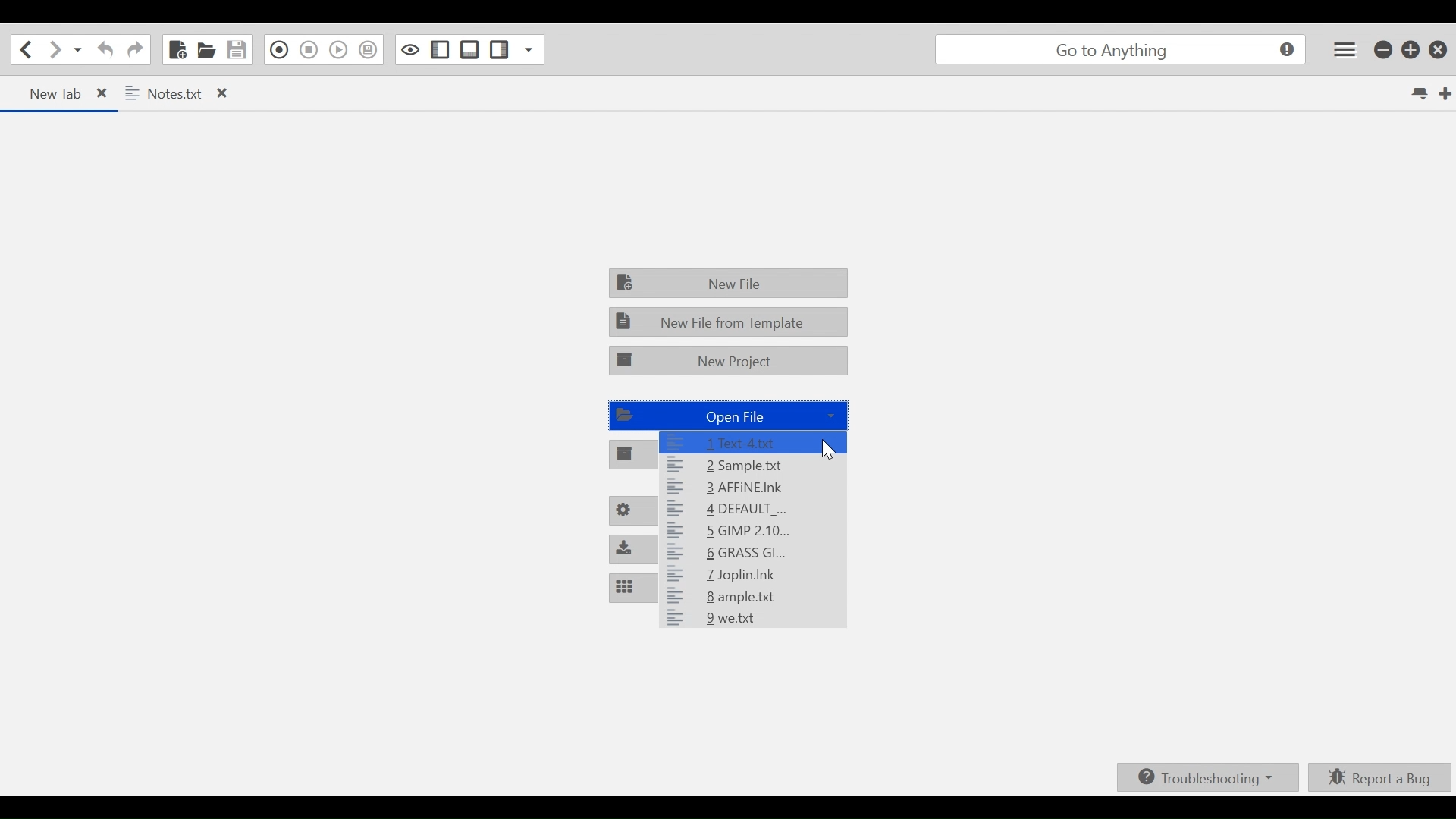 Image resolution: width=1456 pixels, height=819 pixels. What do you see at coordinates (1346, 50) in the screenshot?
I see `Application menu` at bounding box center [1346, 50].